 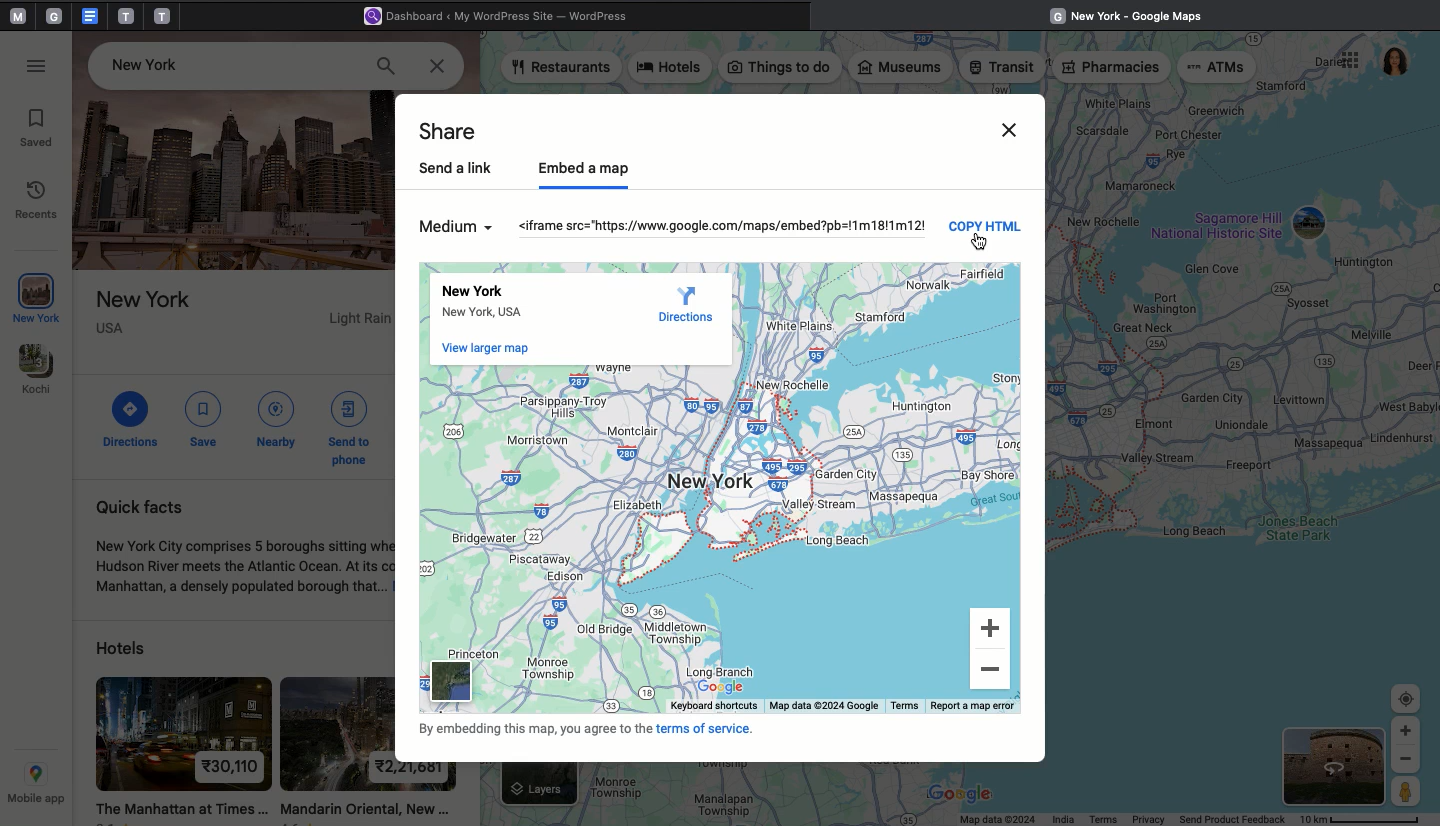 I want to click on tab, so click(x=57, y=16).